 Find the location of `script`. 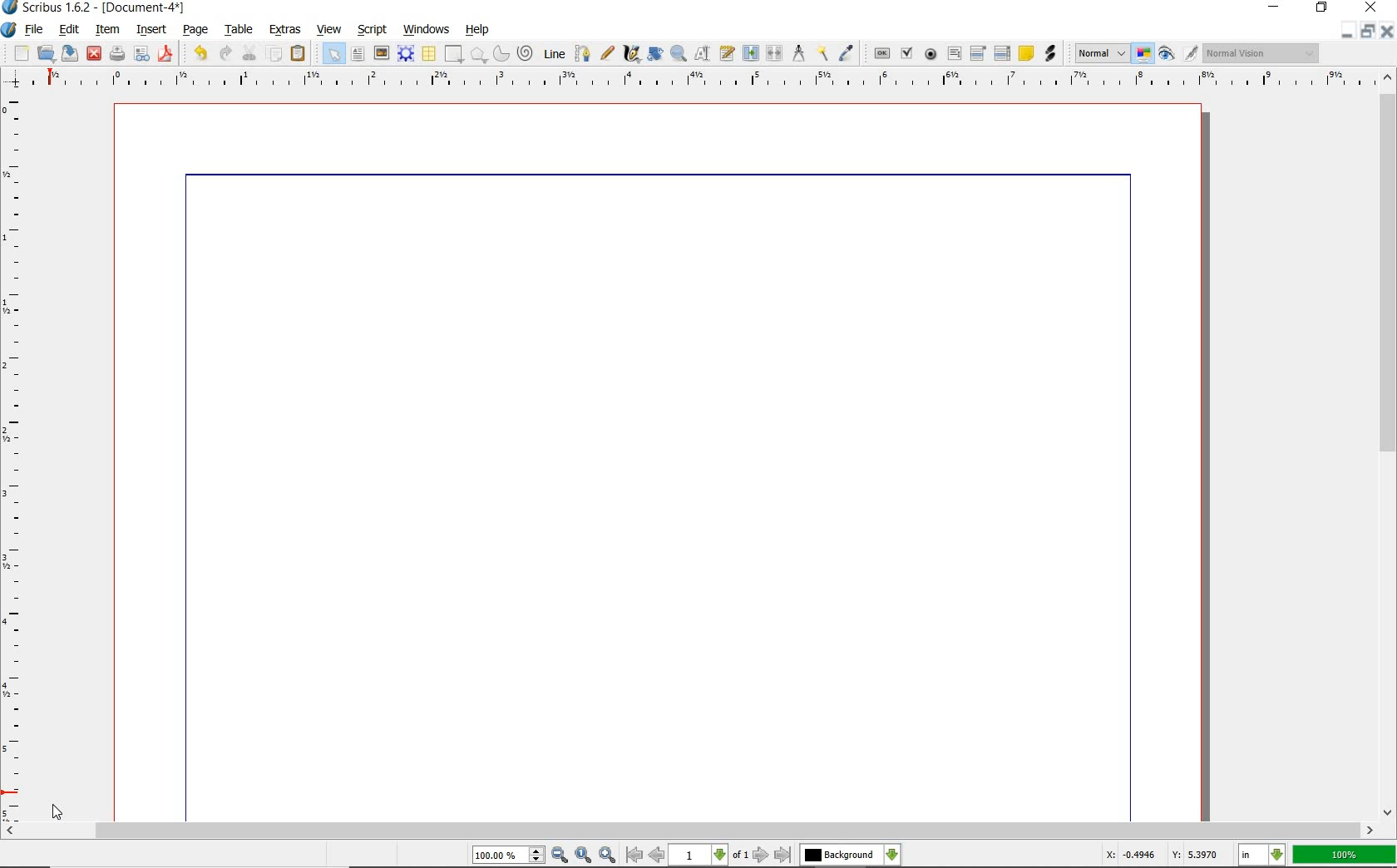

script is located at coordinates (373, 28).